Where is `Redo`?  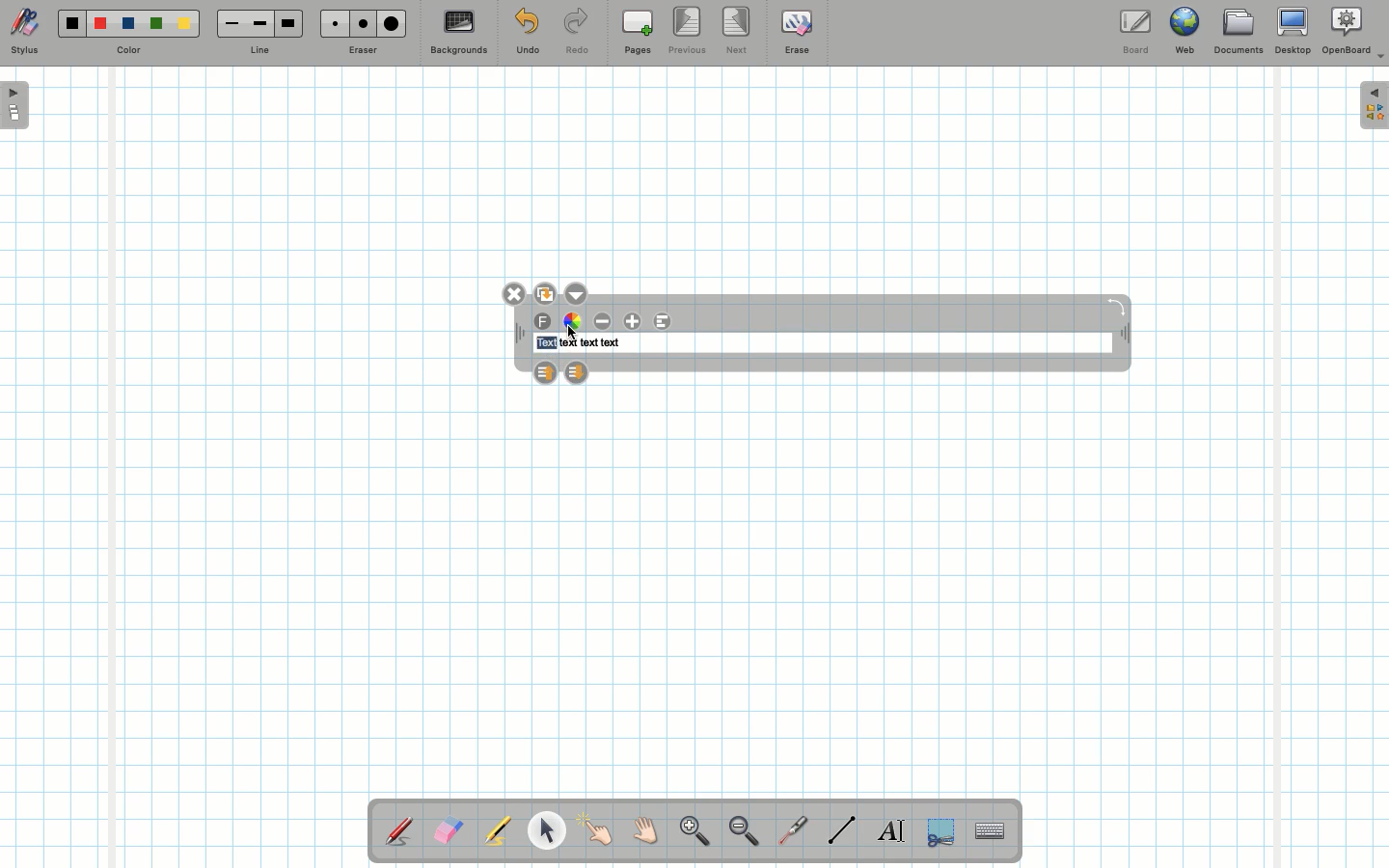 Redo is located at coordinates (577, 35).